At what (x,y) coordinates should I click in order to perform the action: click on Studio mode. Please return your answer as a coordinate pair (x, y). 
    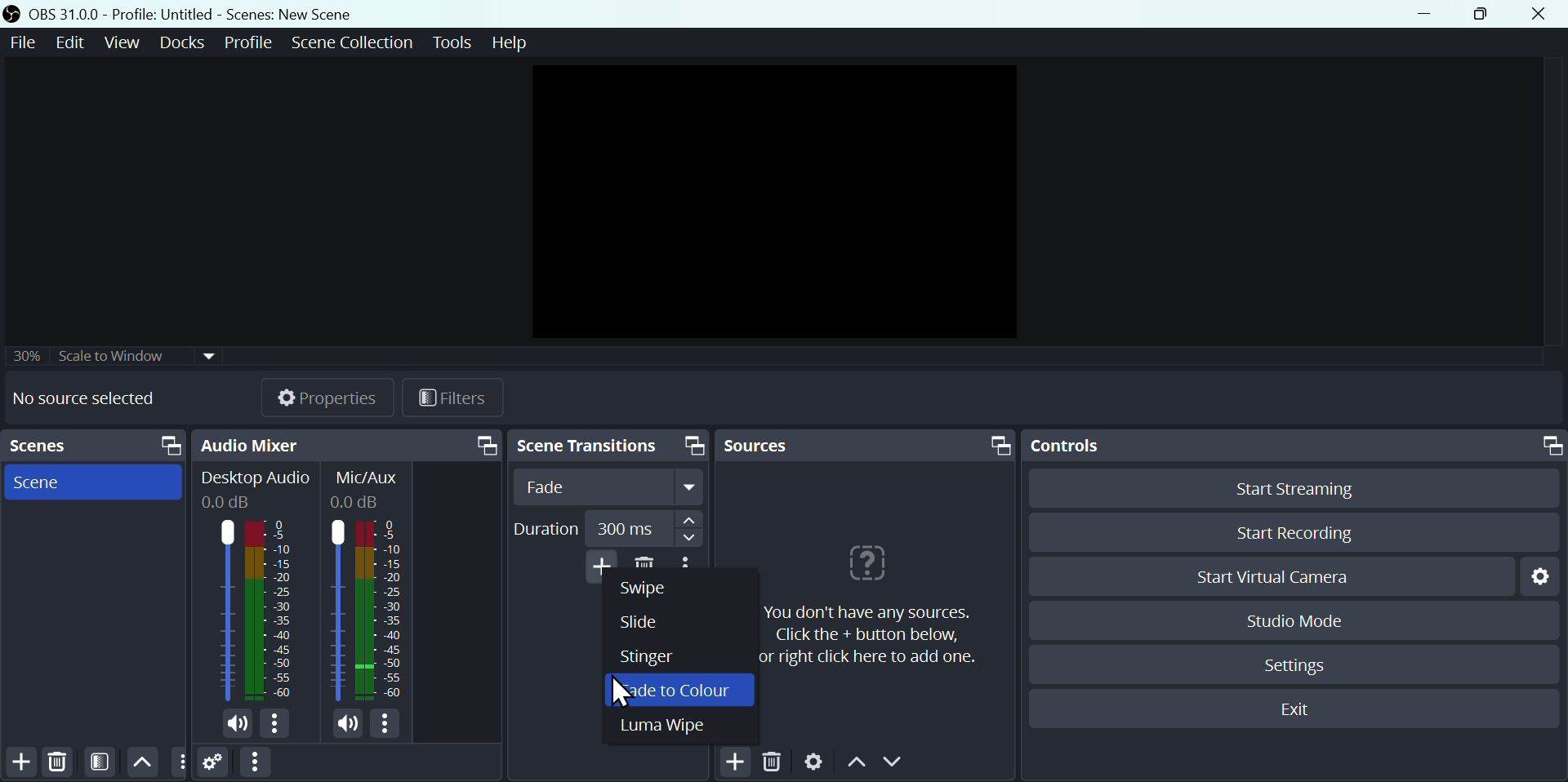
    Looking at the image, I should click on (1289, 620).